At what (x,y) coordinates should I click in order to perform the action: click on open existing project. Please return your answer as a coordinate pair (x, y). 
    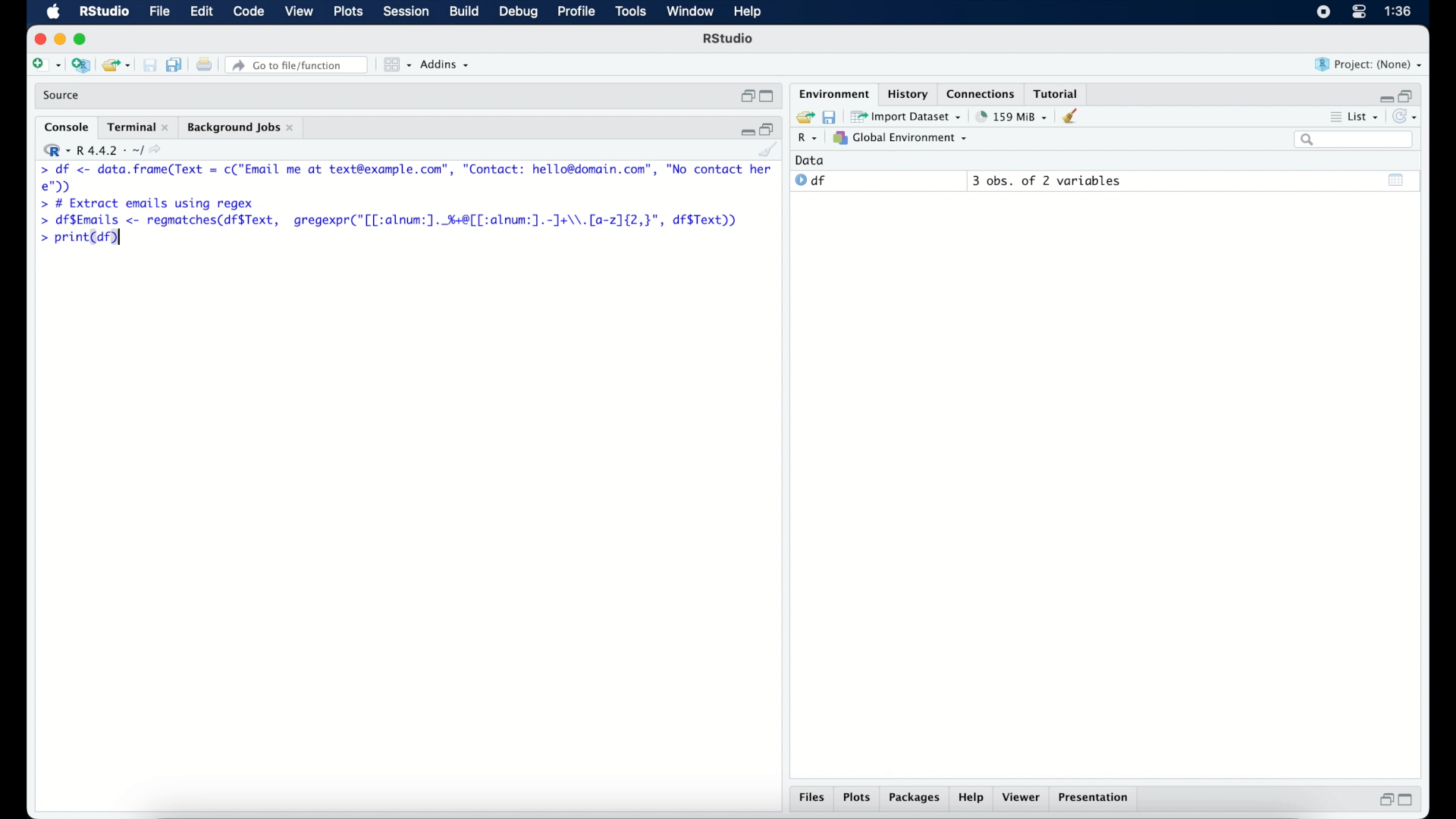
    Looking at the image, I should click on (115, 64).